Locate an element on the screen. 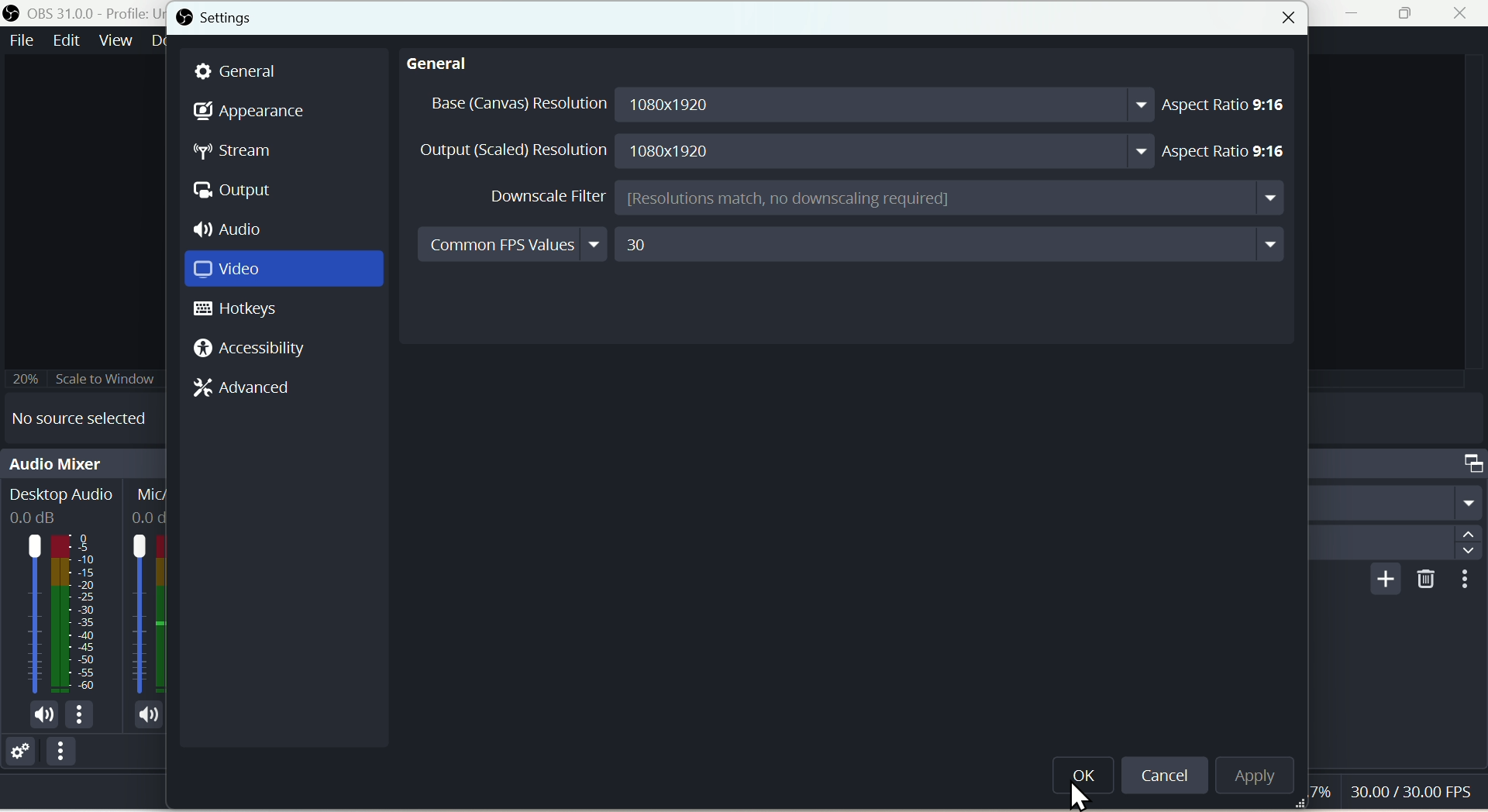 The height and width of the screenshot is (812, 1488). Close is located at coordinates (1287, 21).